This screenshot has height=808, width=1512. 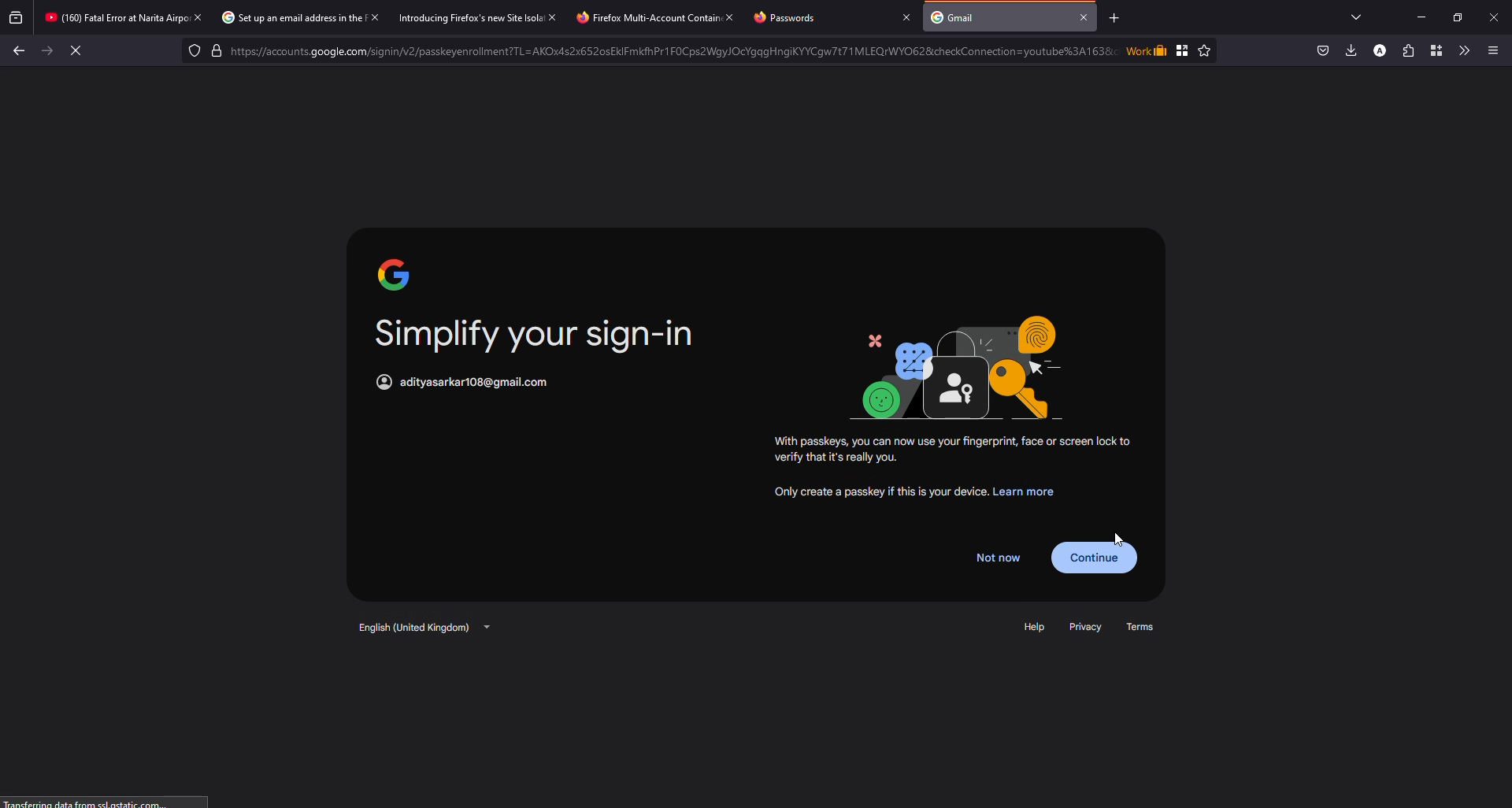 What do you see at coordinates (1032, 626) in the screenshot?
I see `help` at bounding box center [1032, 626].